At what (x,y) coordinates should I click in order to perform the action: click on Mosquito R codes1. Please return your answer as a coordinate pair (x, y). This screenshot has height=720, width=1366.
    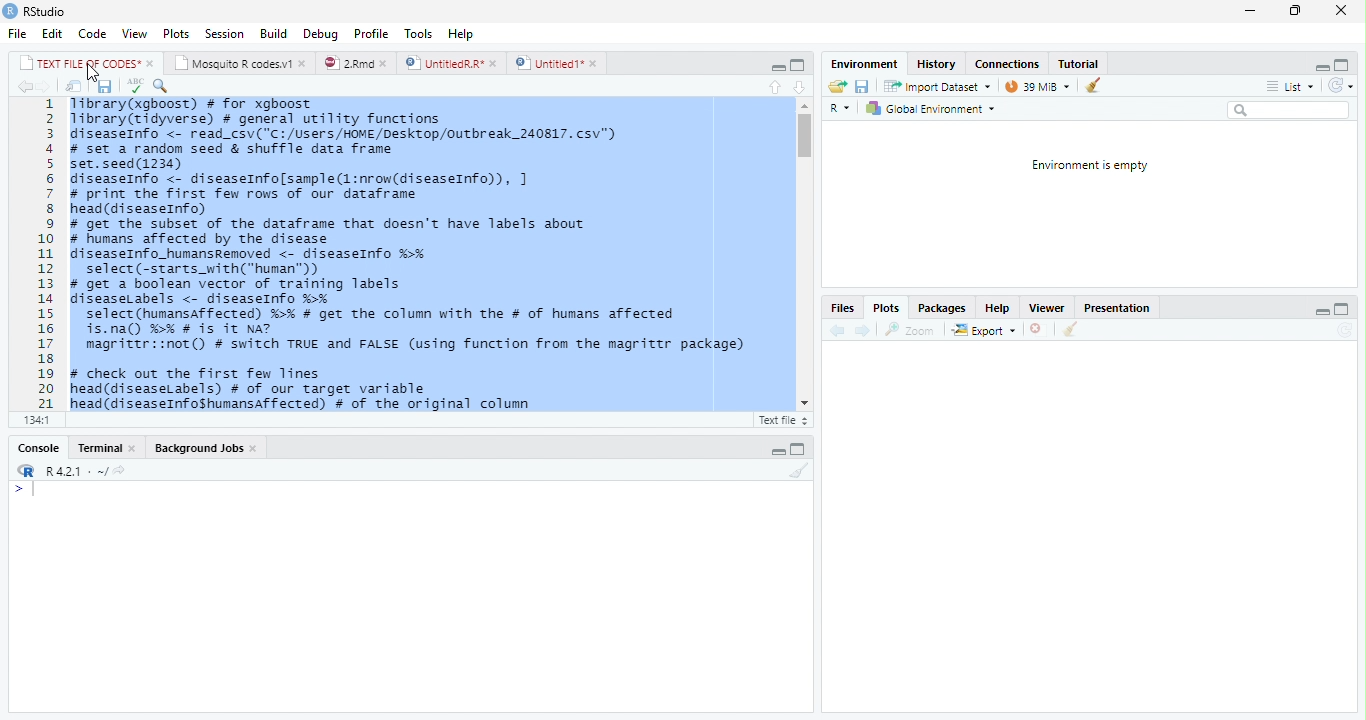
    Looking at the image, I should click on (241, 63).